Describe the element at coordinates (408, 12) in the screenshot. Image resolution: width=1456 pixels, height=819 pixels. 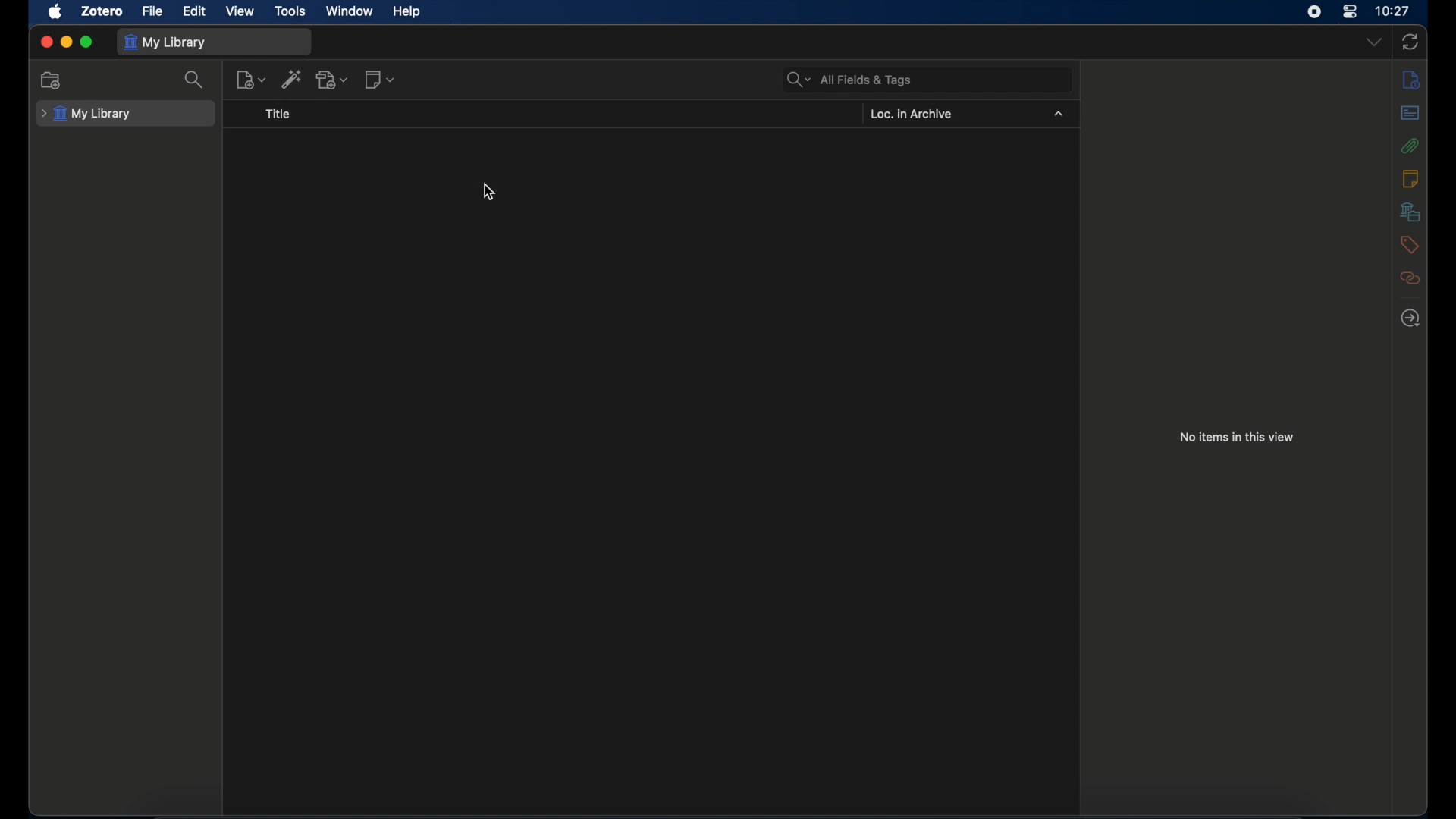
I see `help` at that location.